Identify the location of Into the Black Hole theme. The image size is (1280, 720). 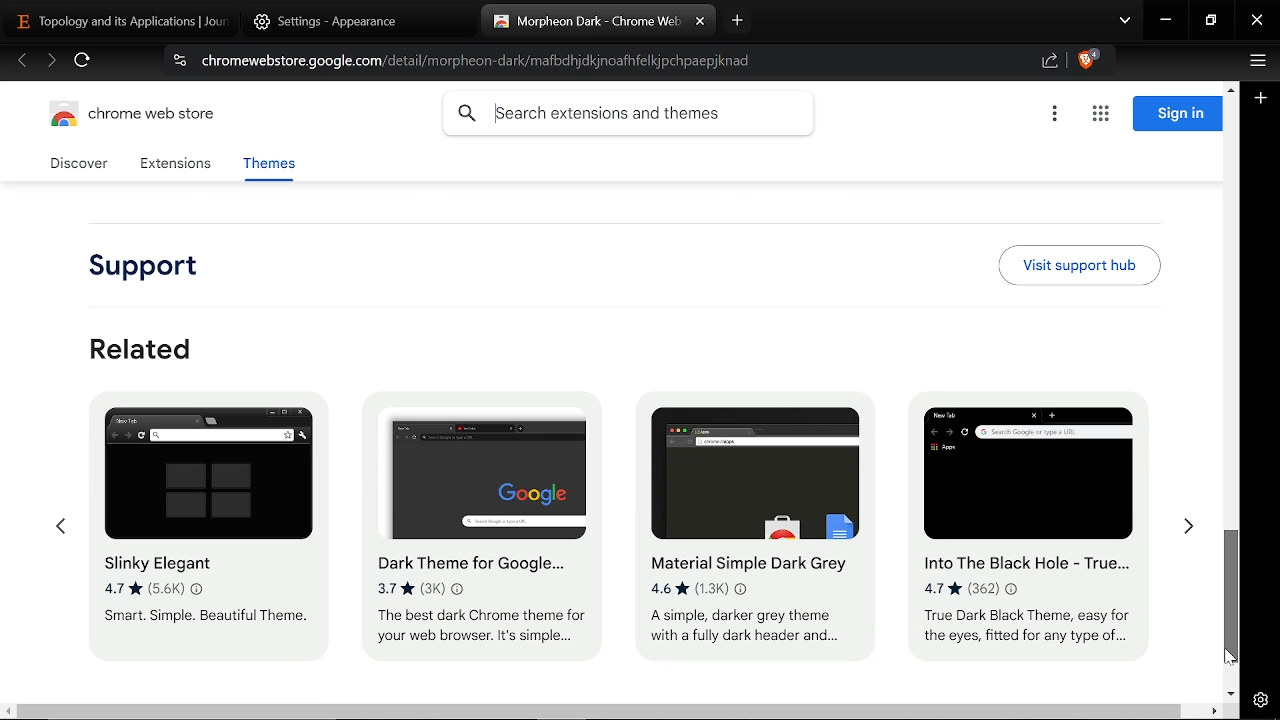
(1032, 526).